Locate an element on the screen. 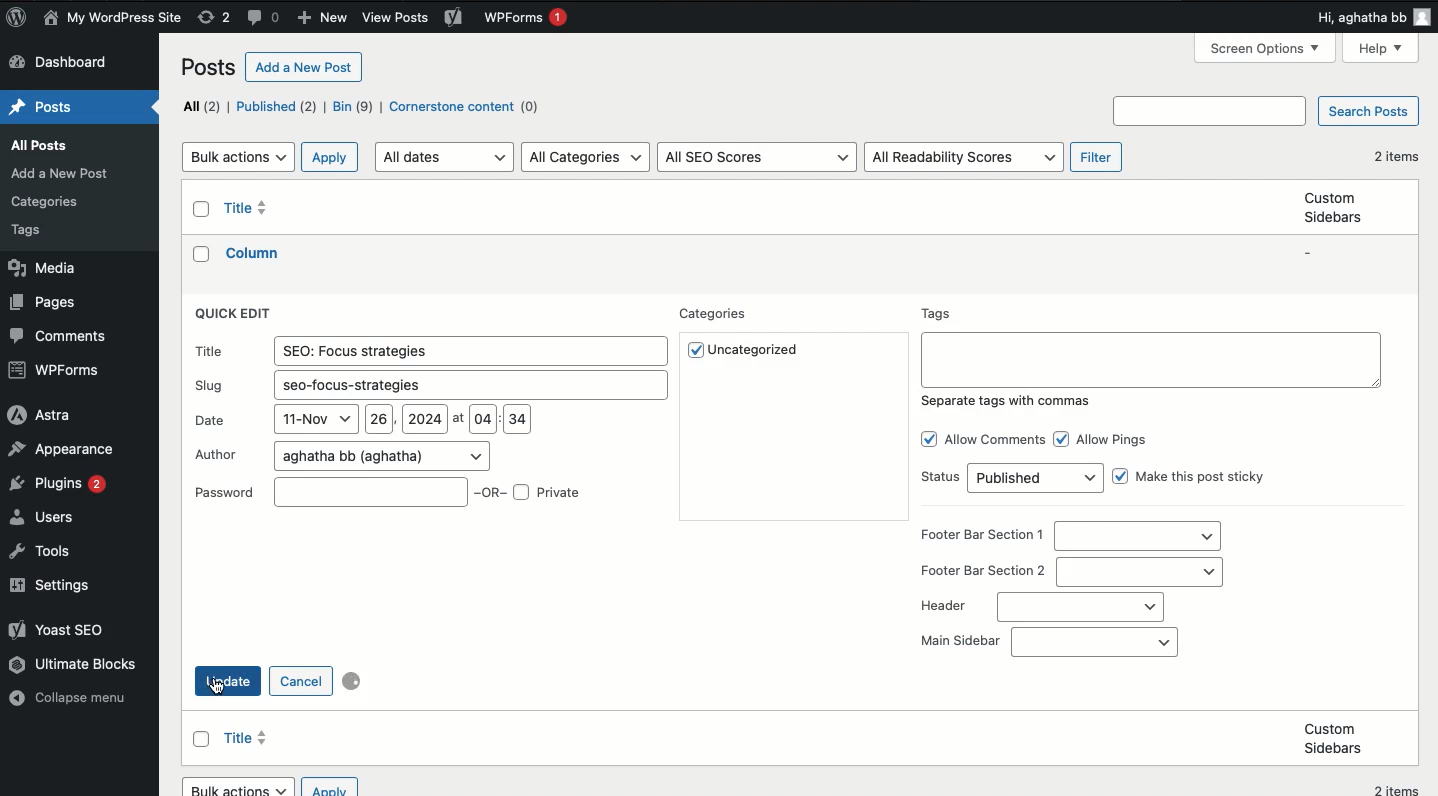 This screenshot has height=796, width=1438. Posts is located at coordinates (41, 231).